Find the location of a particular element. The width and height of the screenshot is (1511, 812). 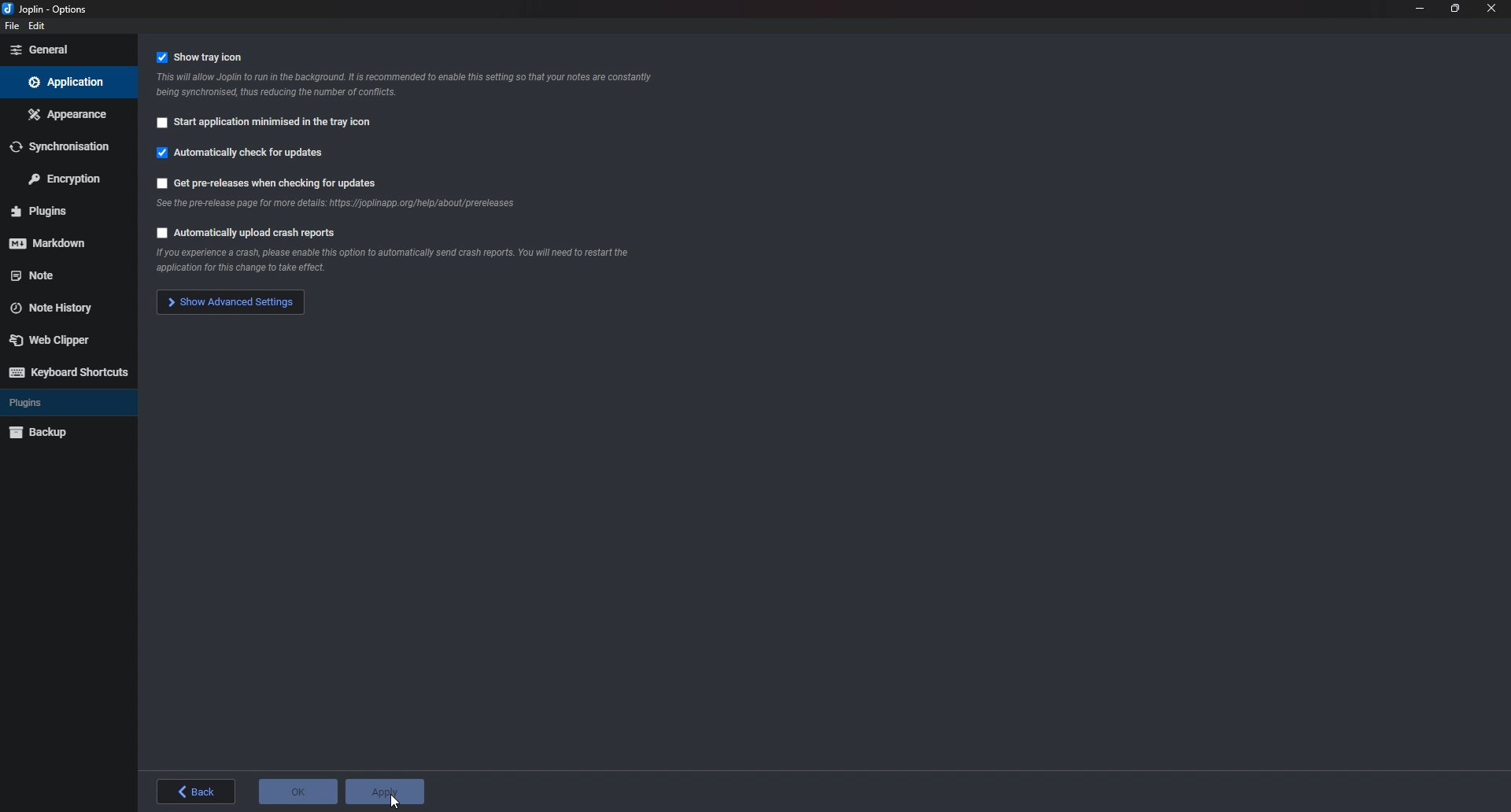

Automatically upload crash reports is located at coordinates (246, 235).